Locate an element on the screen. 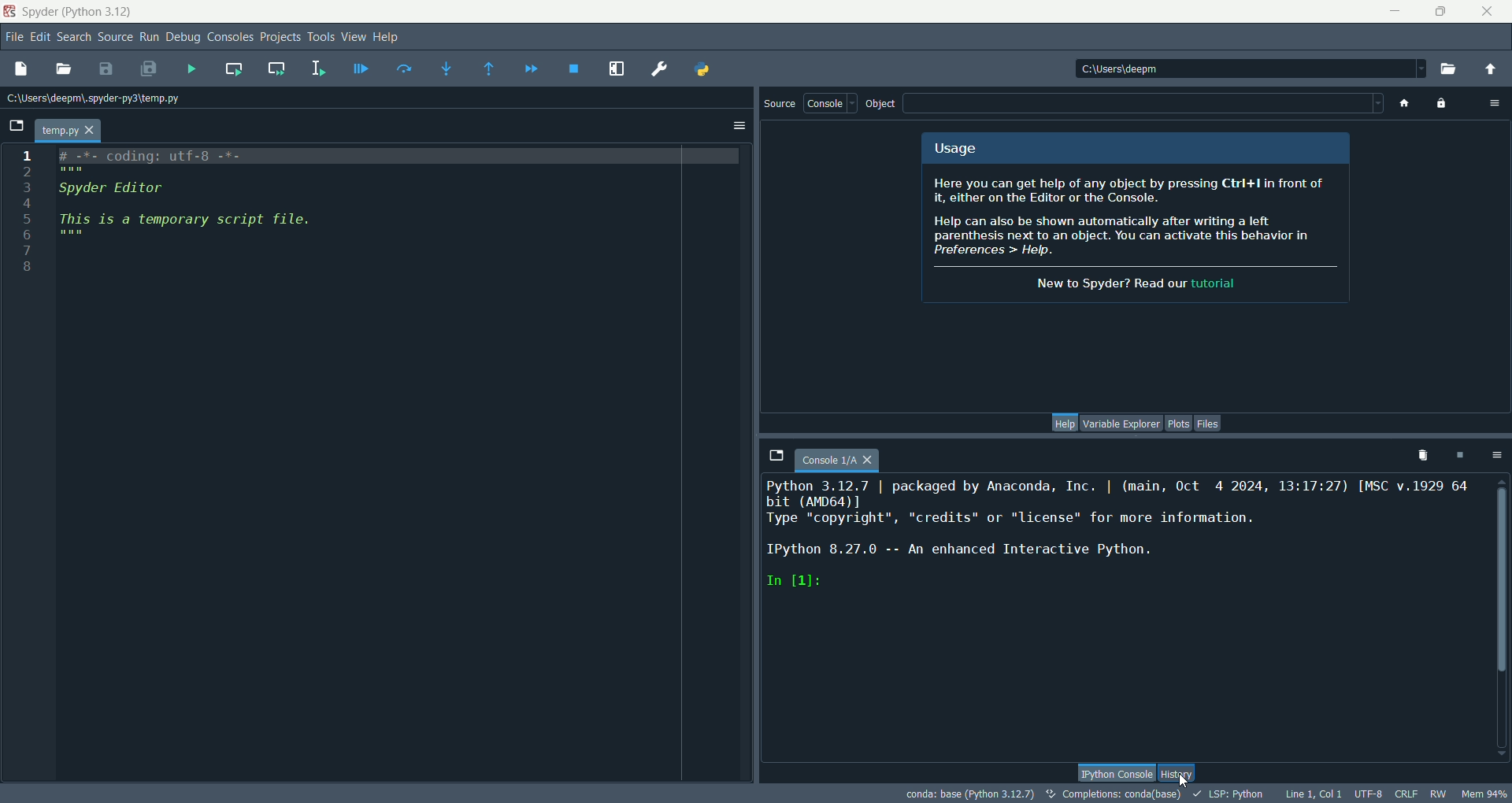  run is located at coordinates (150, 36).